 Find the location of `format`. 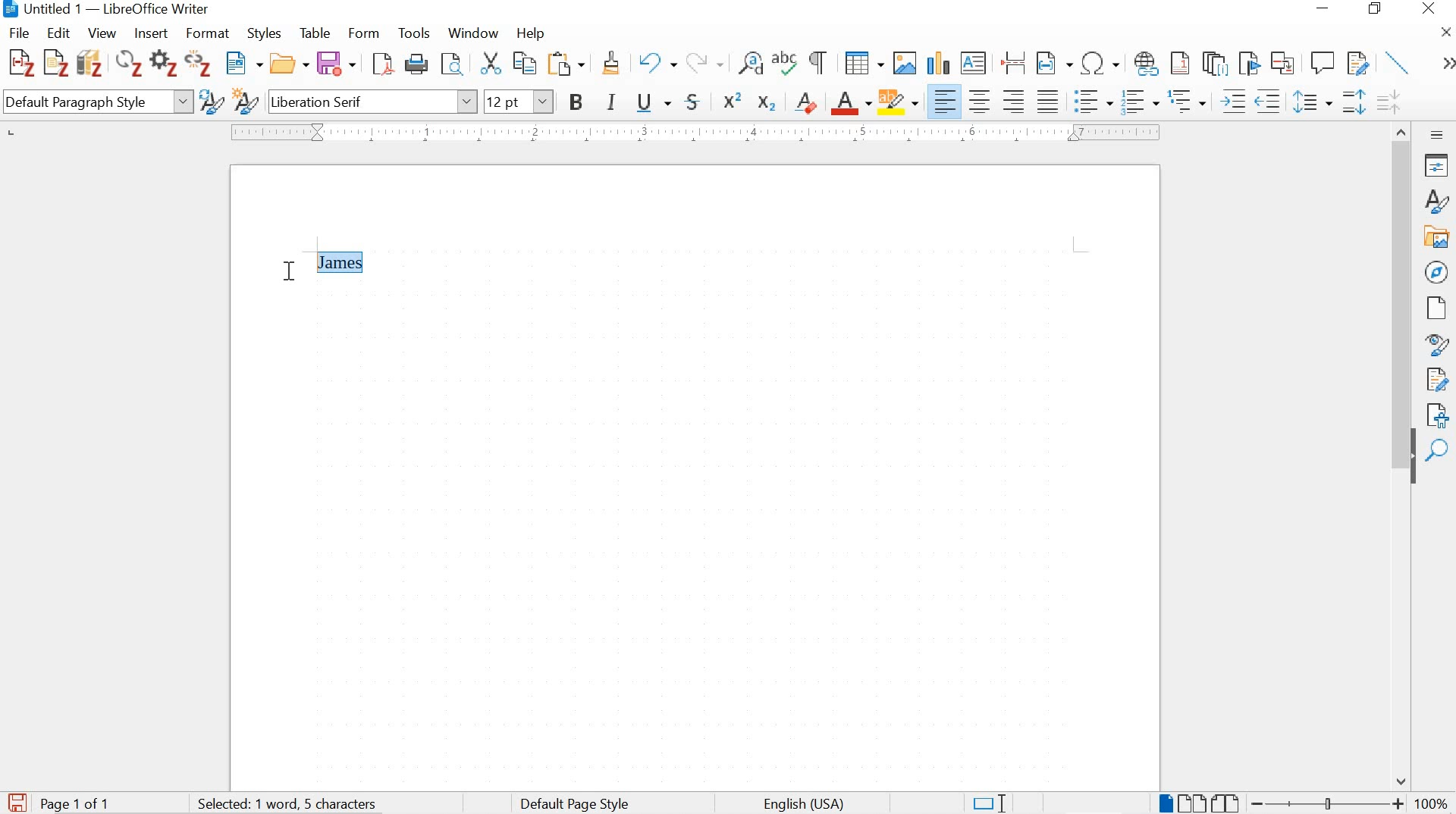

format is located at coordinates (209, 34).